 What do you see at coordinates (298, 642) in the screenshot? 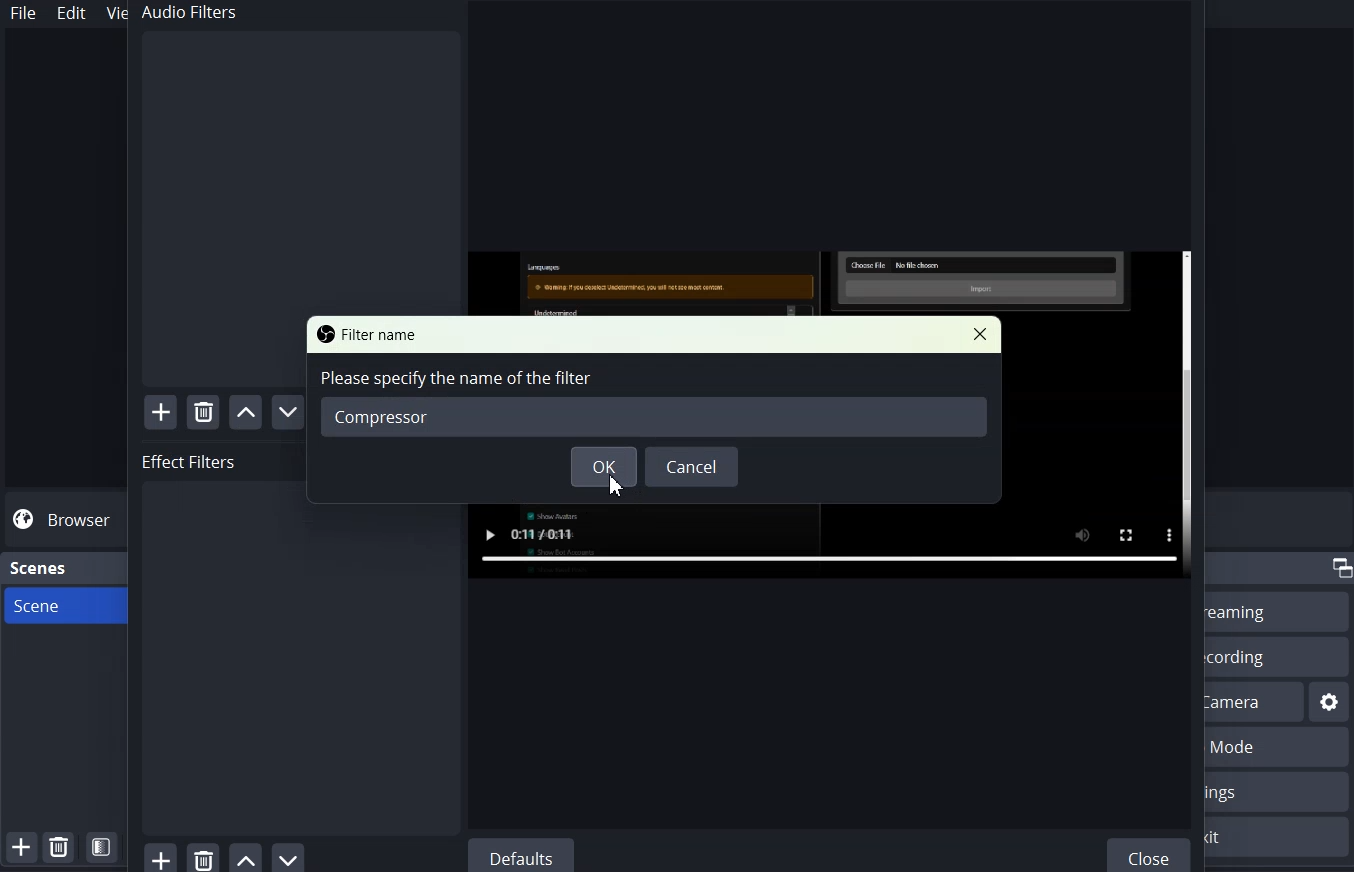
I see `Effect Filters` at bounding box center [298, 642].